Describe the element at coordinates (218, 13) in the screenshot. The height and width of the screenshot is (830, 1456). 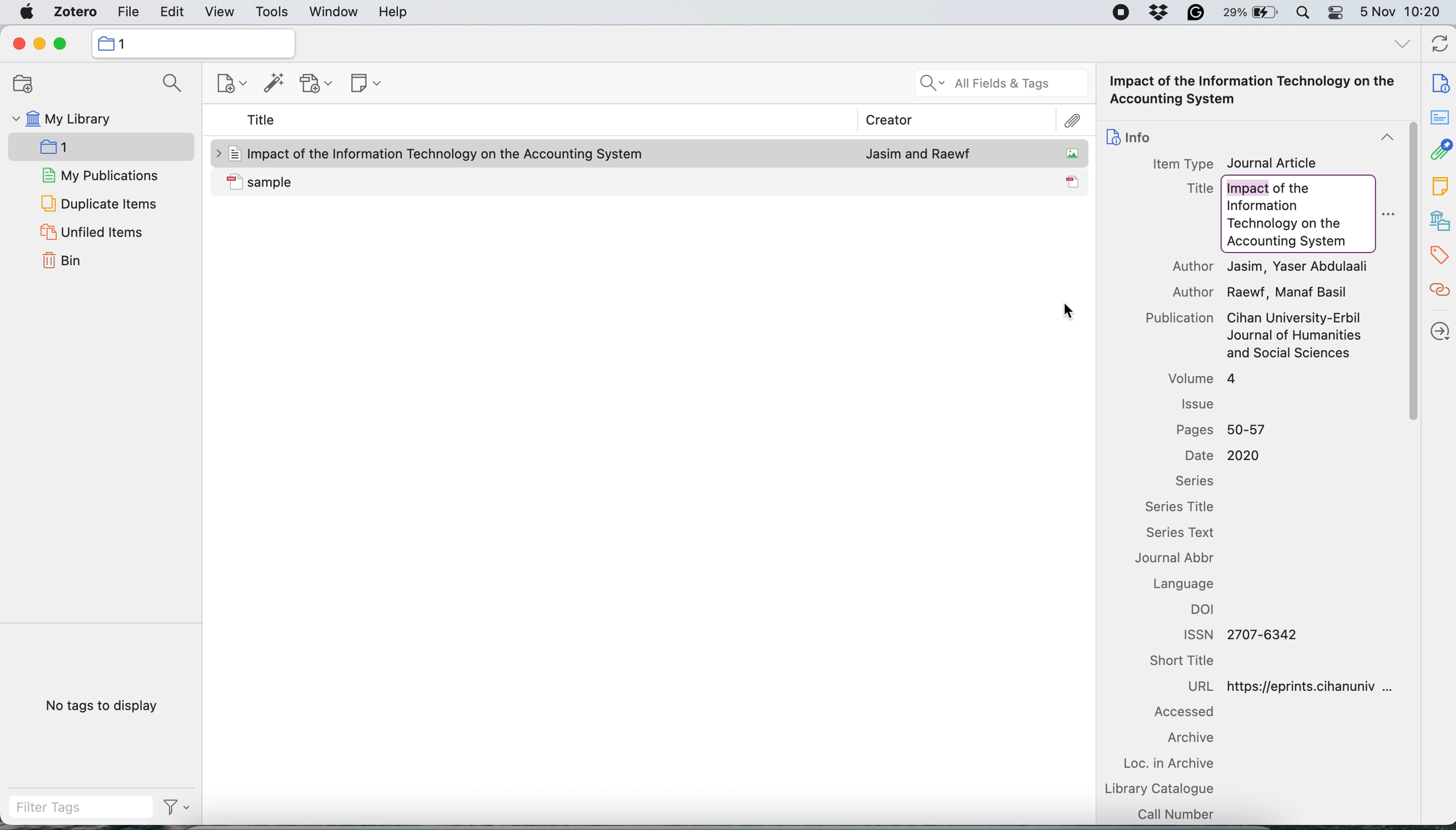
I see `view` at that location.